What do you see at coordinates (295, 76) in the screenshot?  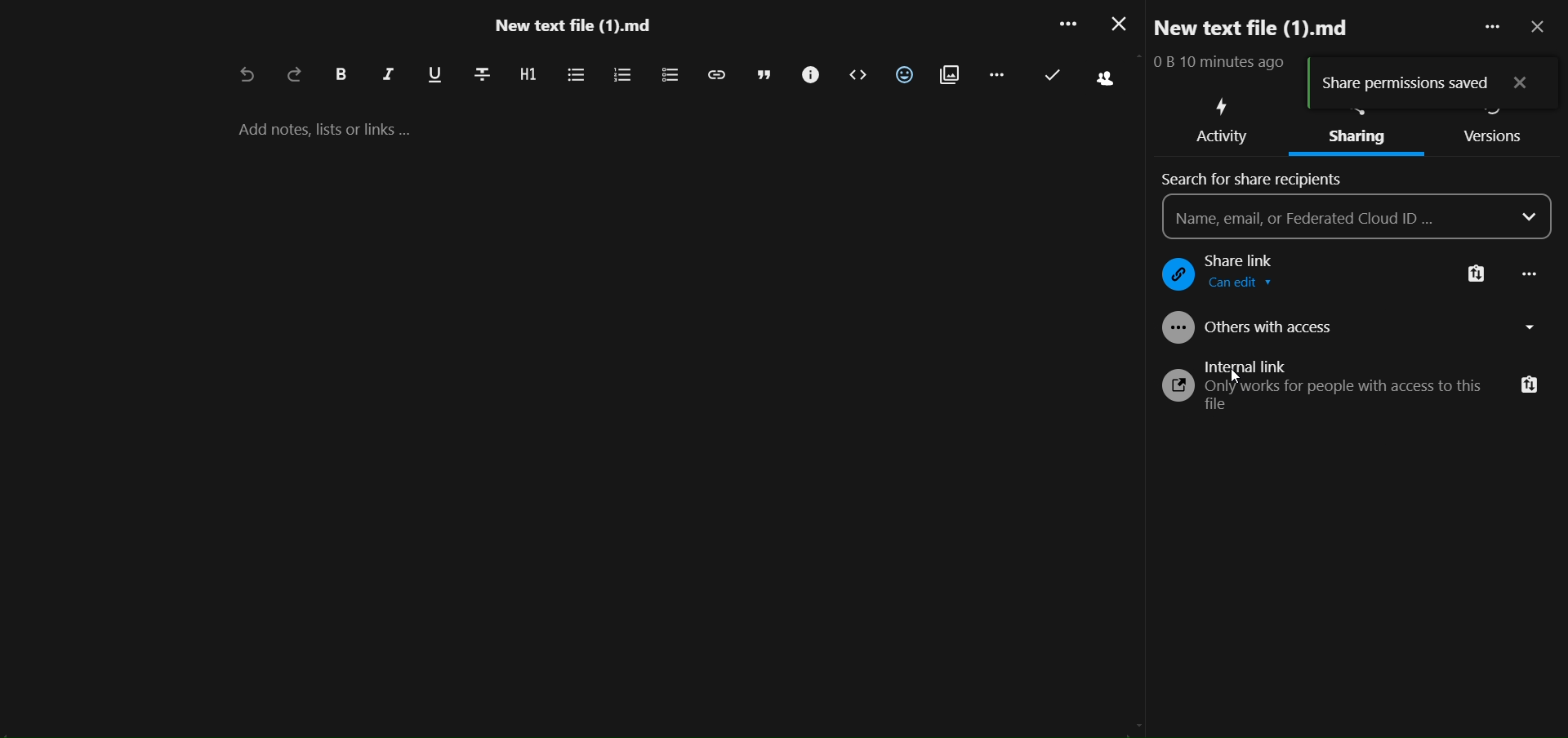 I see `redo` at bounding box center [295, 76].